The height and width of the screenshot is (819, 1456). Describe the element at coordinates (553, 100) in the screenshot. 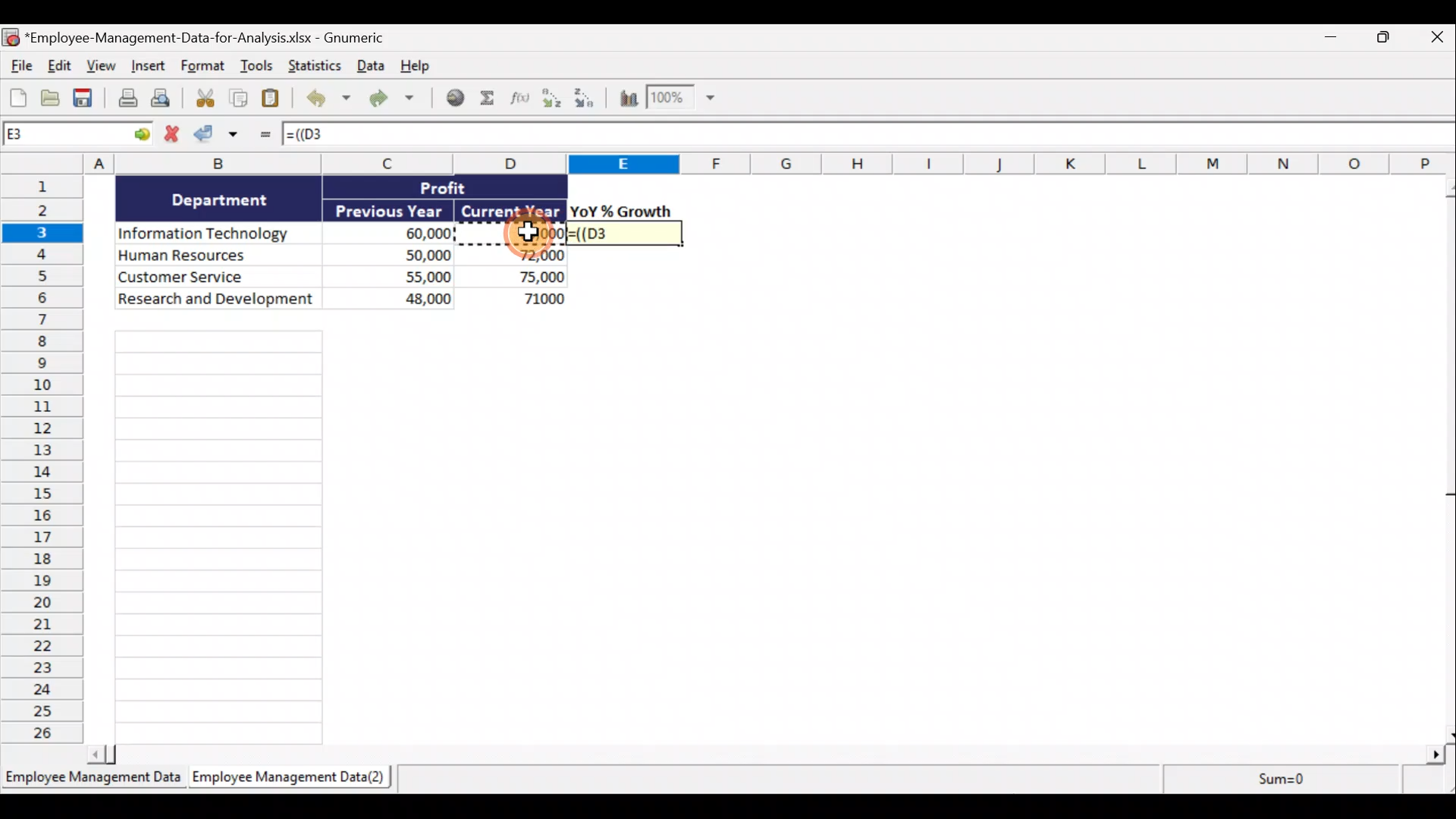

I see `Sort Ascending` at that location.